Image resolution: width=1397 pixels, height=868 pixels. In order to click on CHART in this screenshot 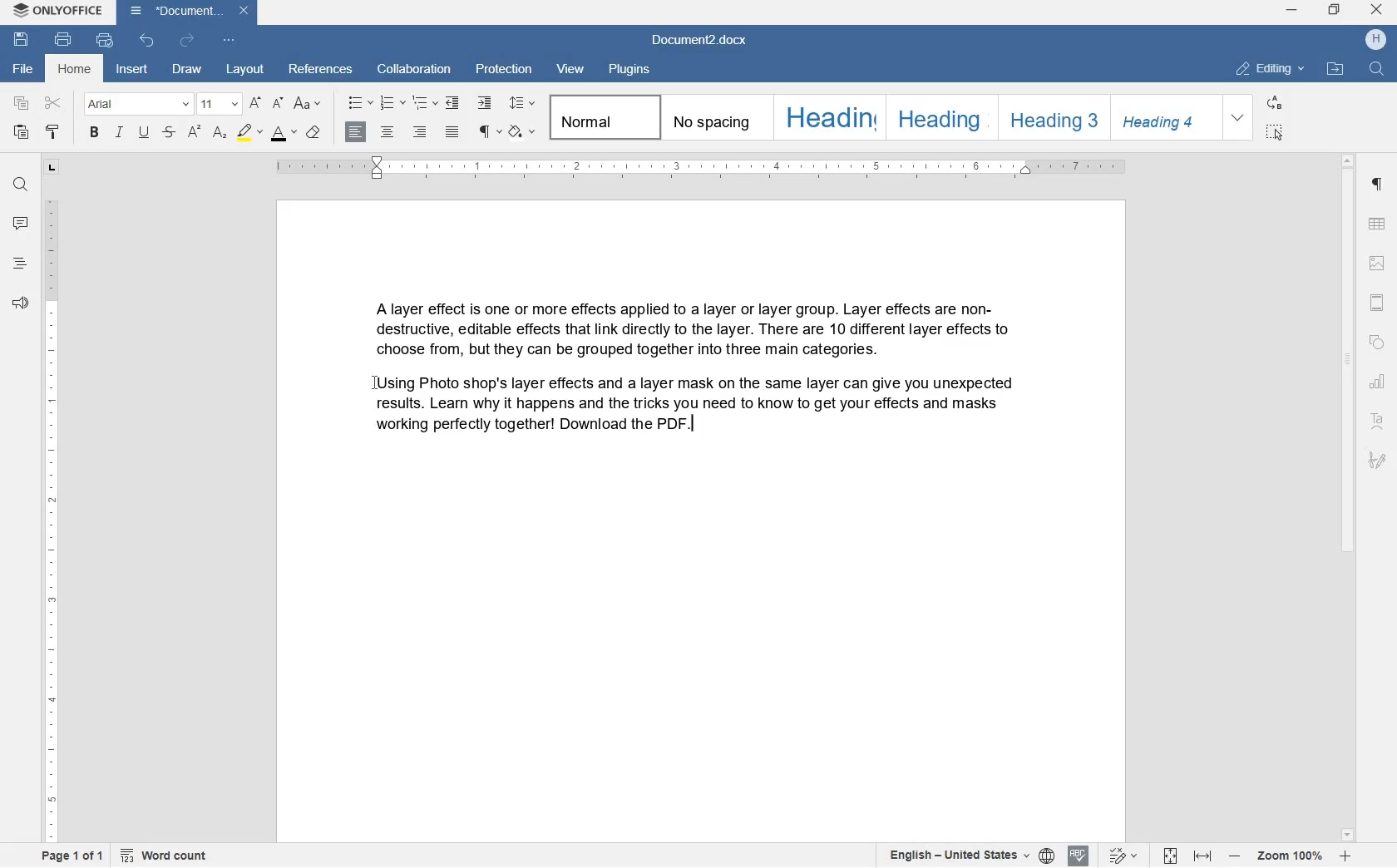, I will do `click(1377, 382)`.